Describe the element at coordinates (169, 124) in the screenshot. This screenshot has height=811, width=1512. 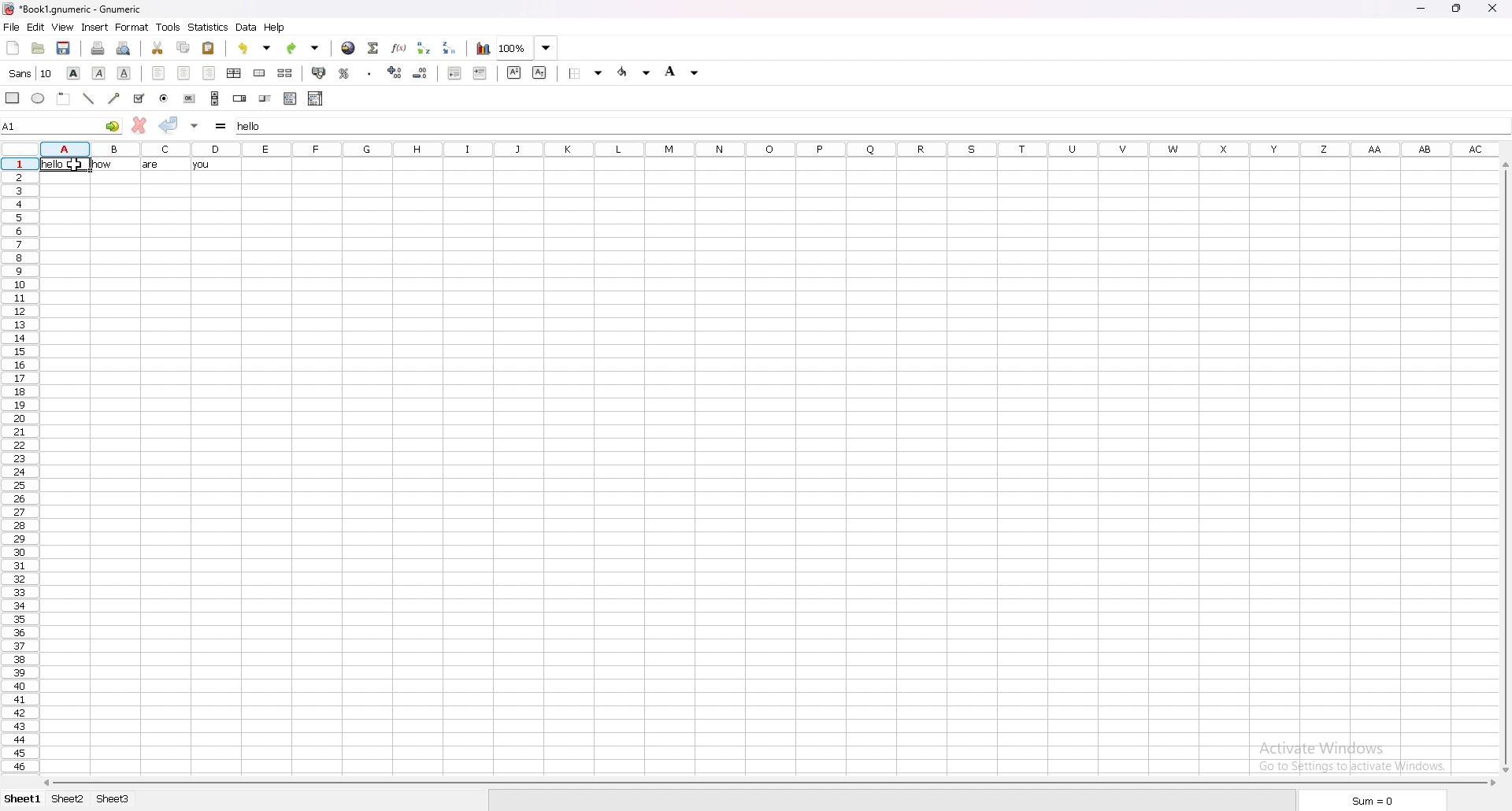
I see `accept changes` at that location.